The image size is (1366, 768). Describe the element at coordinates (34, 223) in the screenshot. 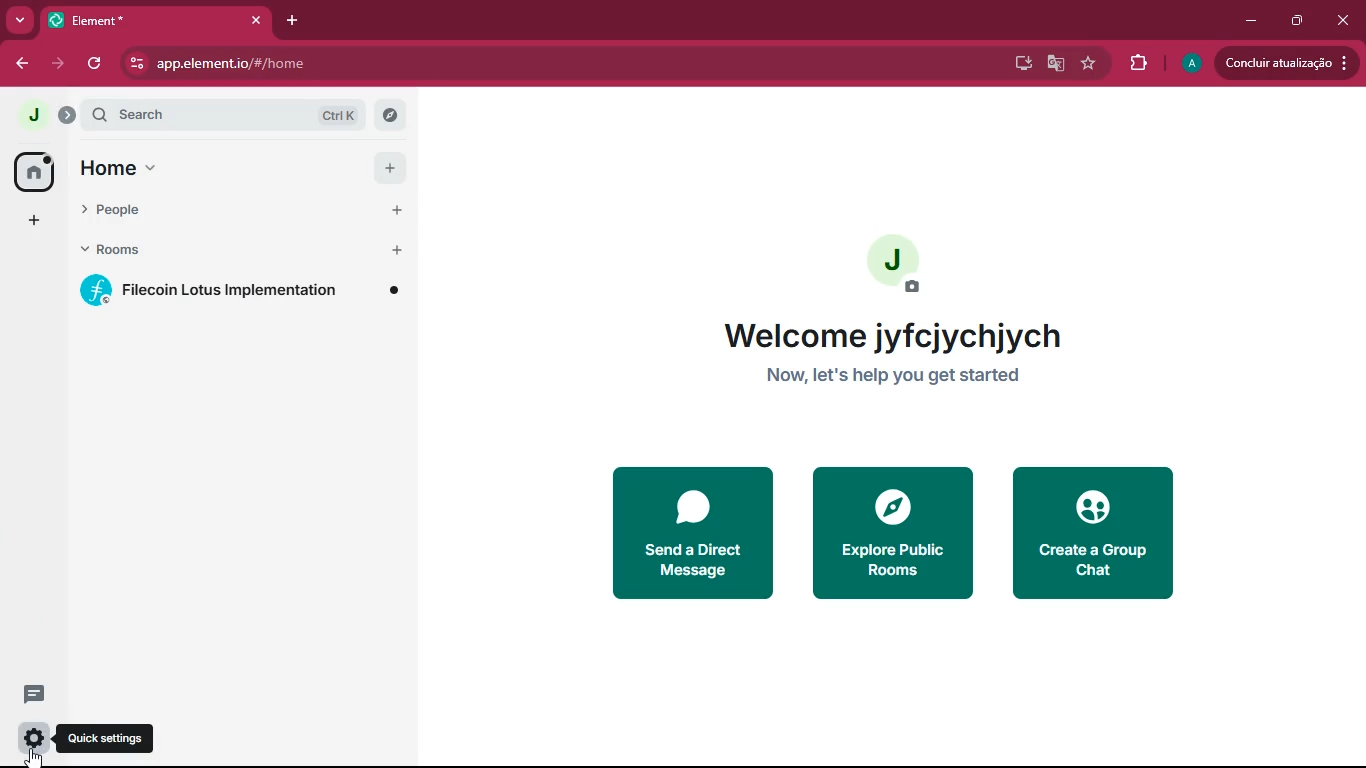

I see `add` at that location.